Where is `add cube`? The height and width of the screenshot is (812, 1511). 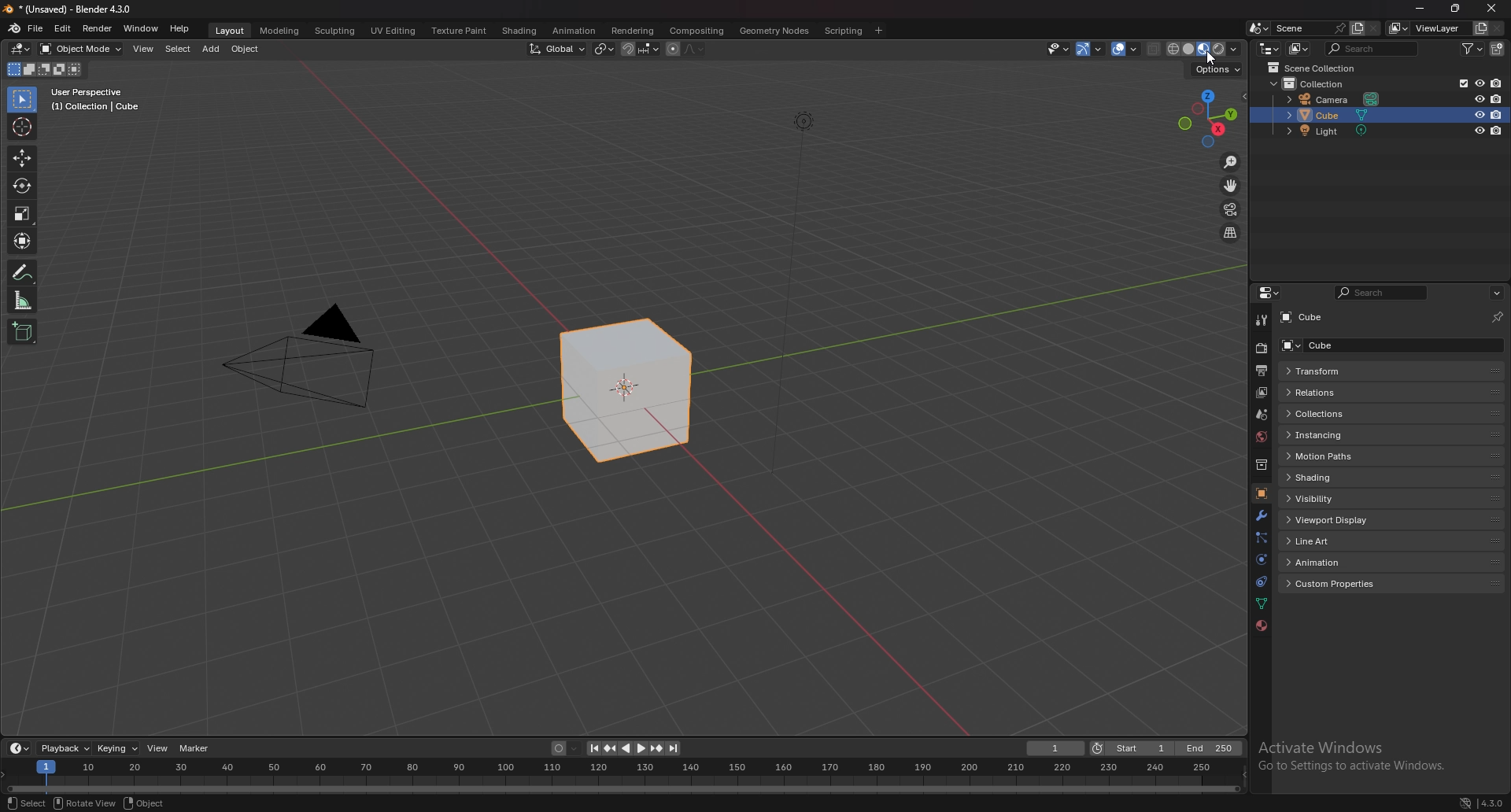 add cube is located at coordinates (21, 331).